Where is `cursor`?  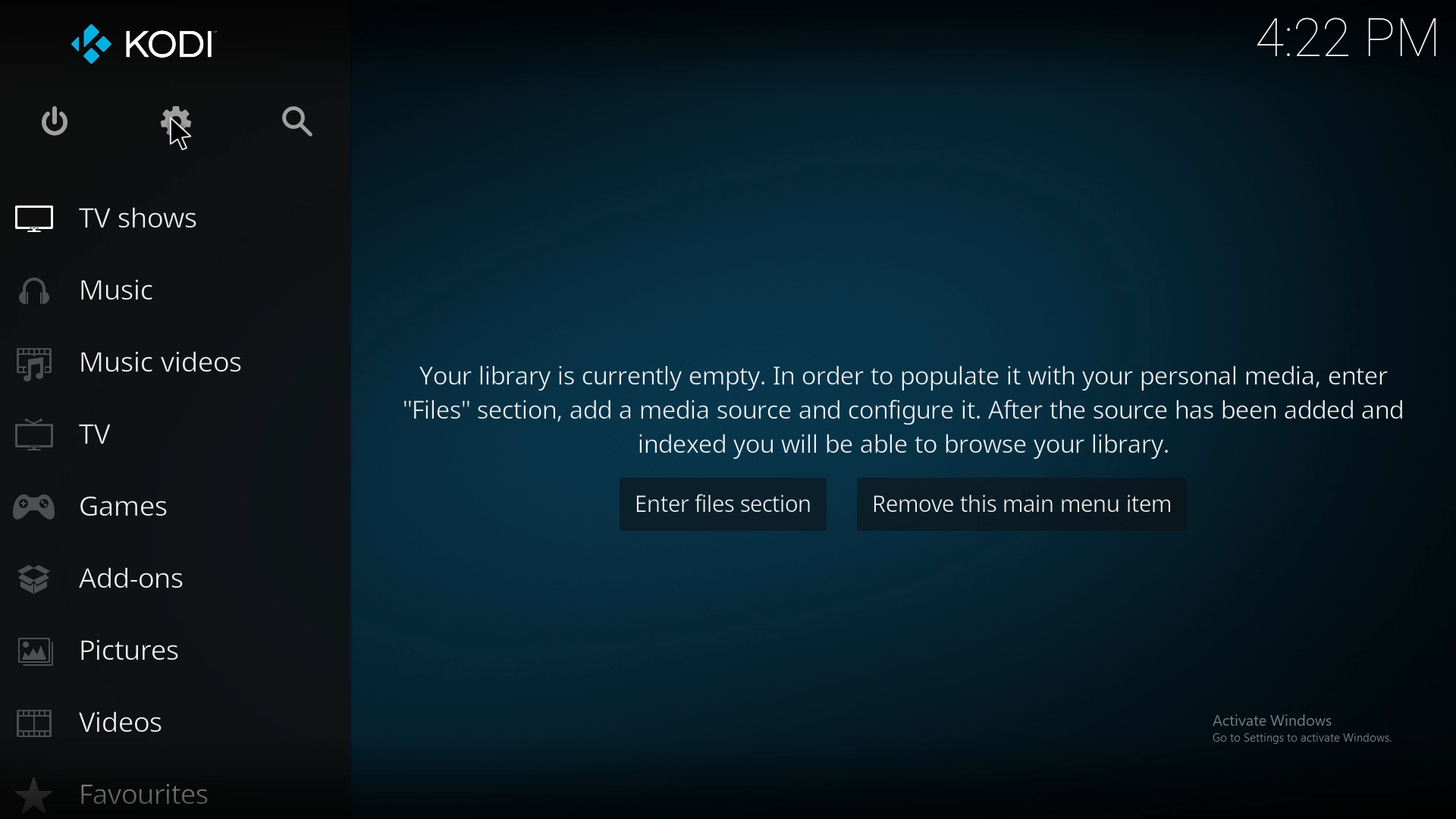 cursor is located at coordinates (179, 136).